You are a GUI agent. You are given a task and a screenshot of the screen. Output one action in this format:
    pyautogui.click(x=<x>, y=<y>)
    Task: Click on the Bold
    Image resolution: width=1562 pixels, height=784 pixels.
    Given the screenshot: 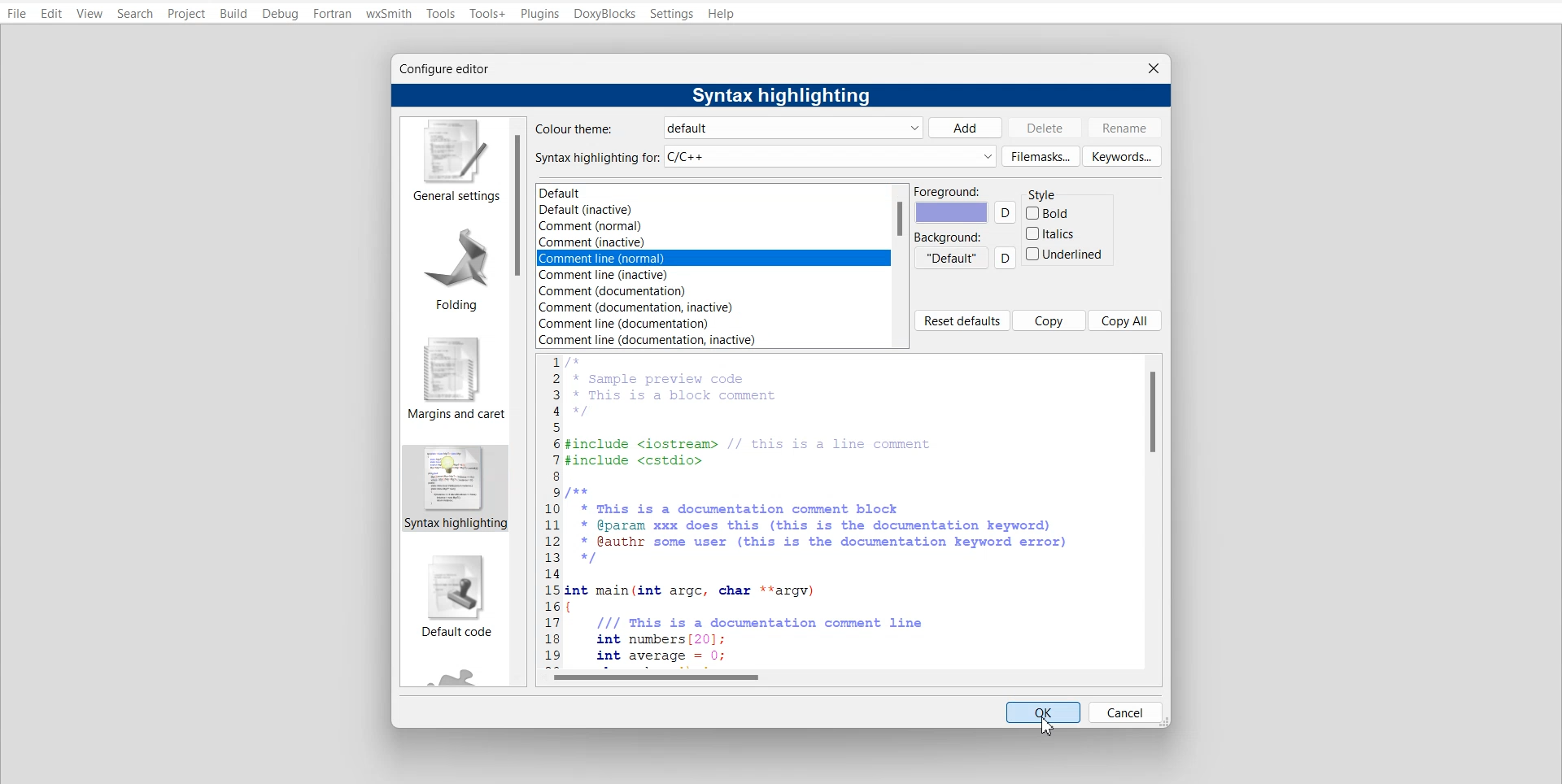 What is the action you would take?
    pyautogui.click(x=1048, y=214)
    